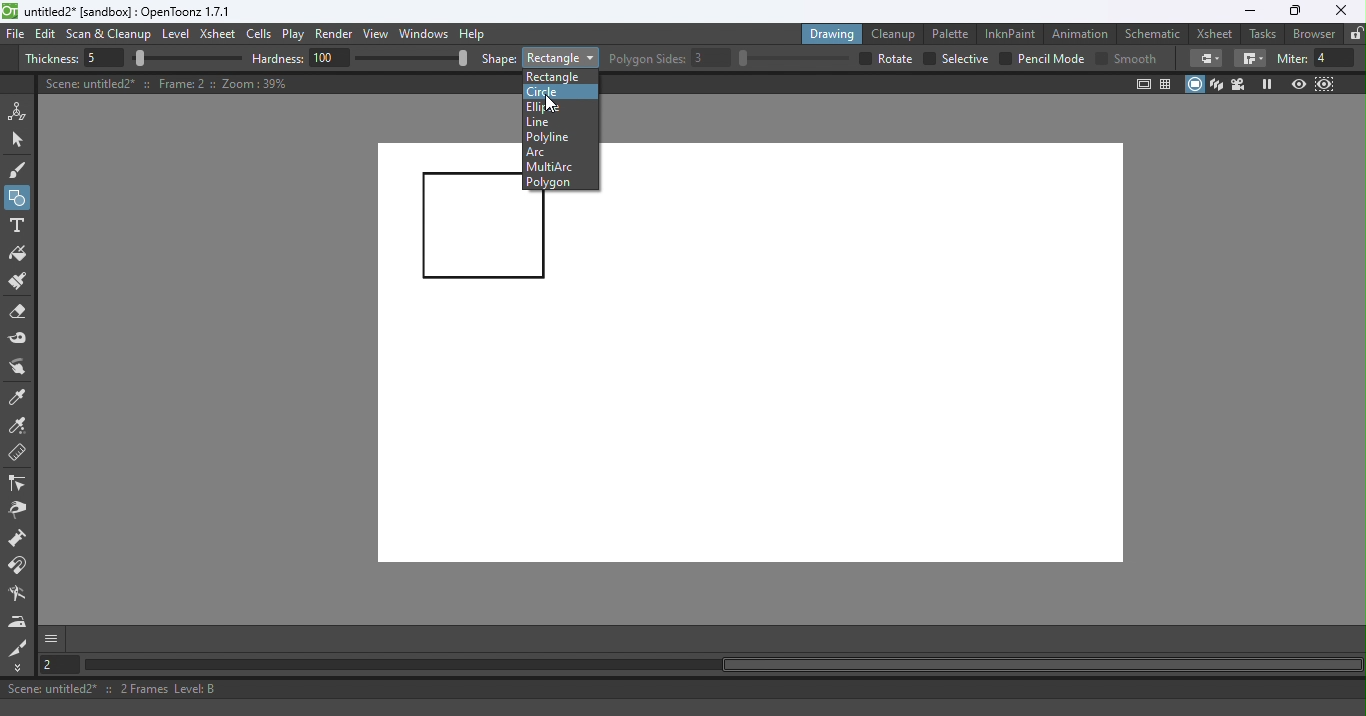 Image resolution: width=1366 pixels, height=716 pixels. What do you see at coordinates (379, 36) in the screenshot?
I see `View` at bounding box center [379, 36].